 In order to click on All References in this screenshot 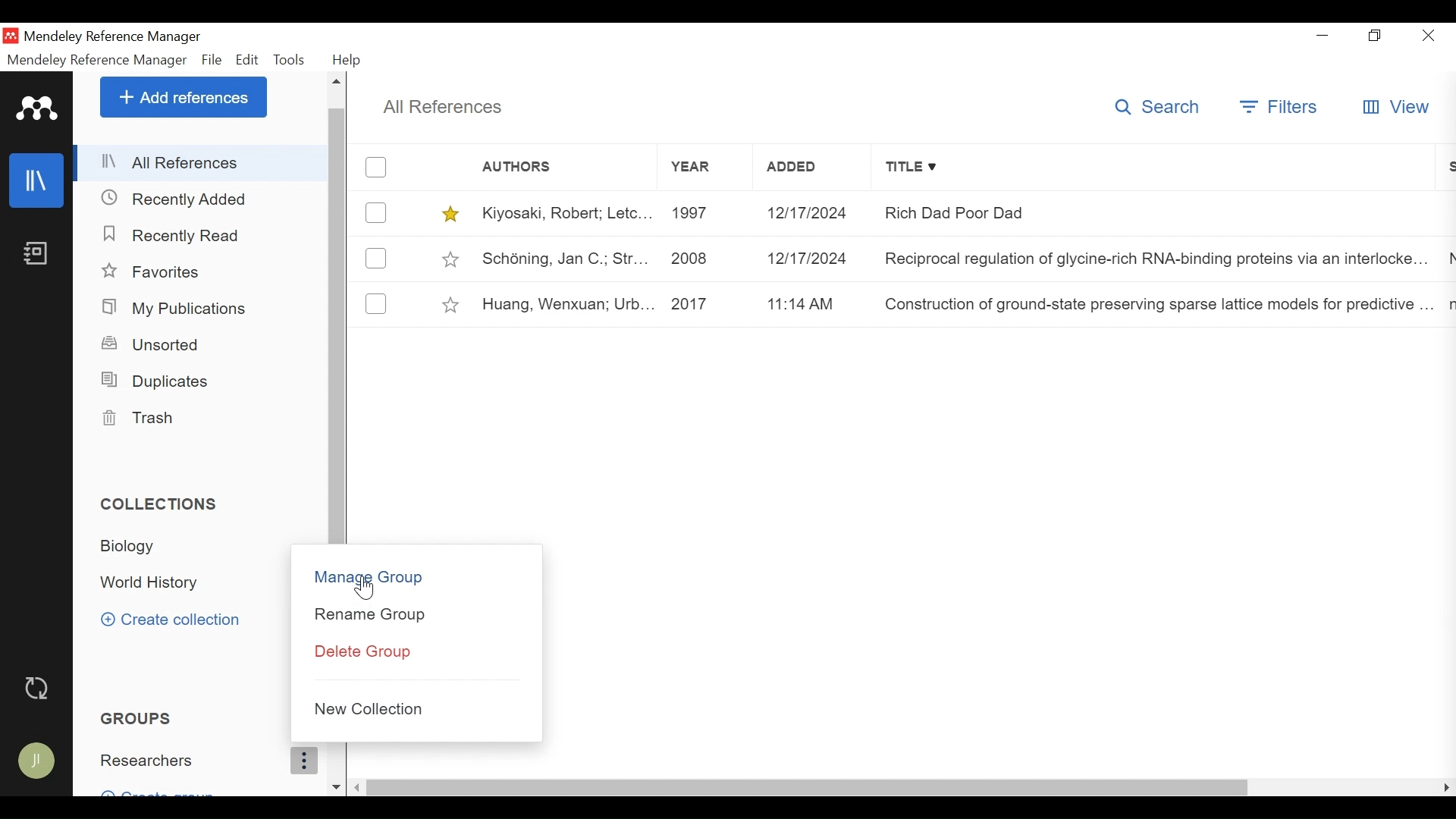, I will do `click(202, 162)`.